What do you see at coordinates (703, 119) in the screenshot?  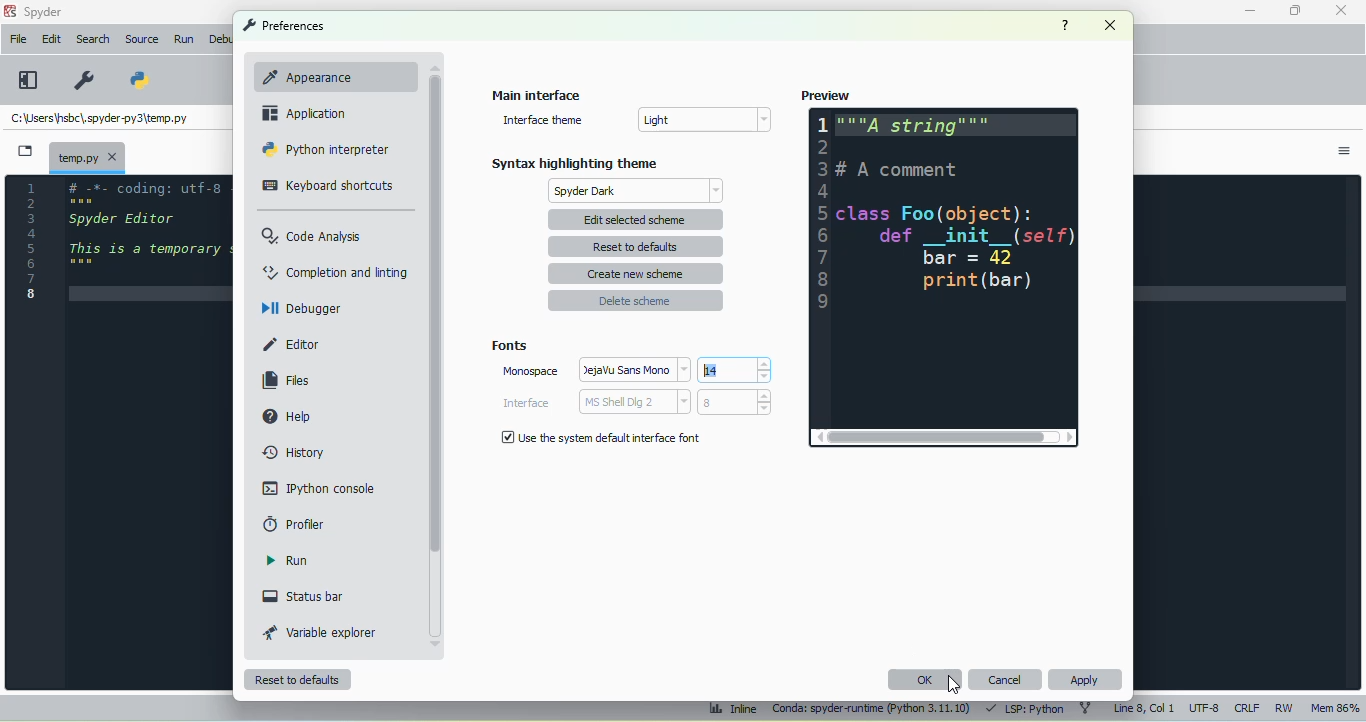 I see `light` at bounding box center [703, 119].